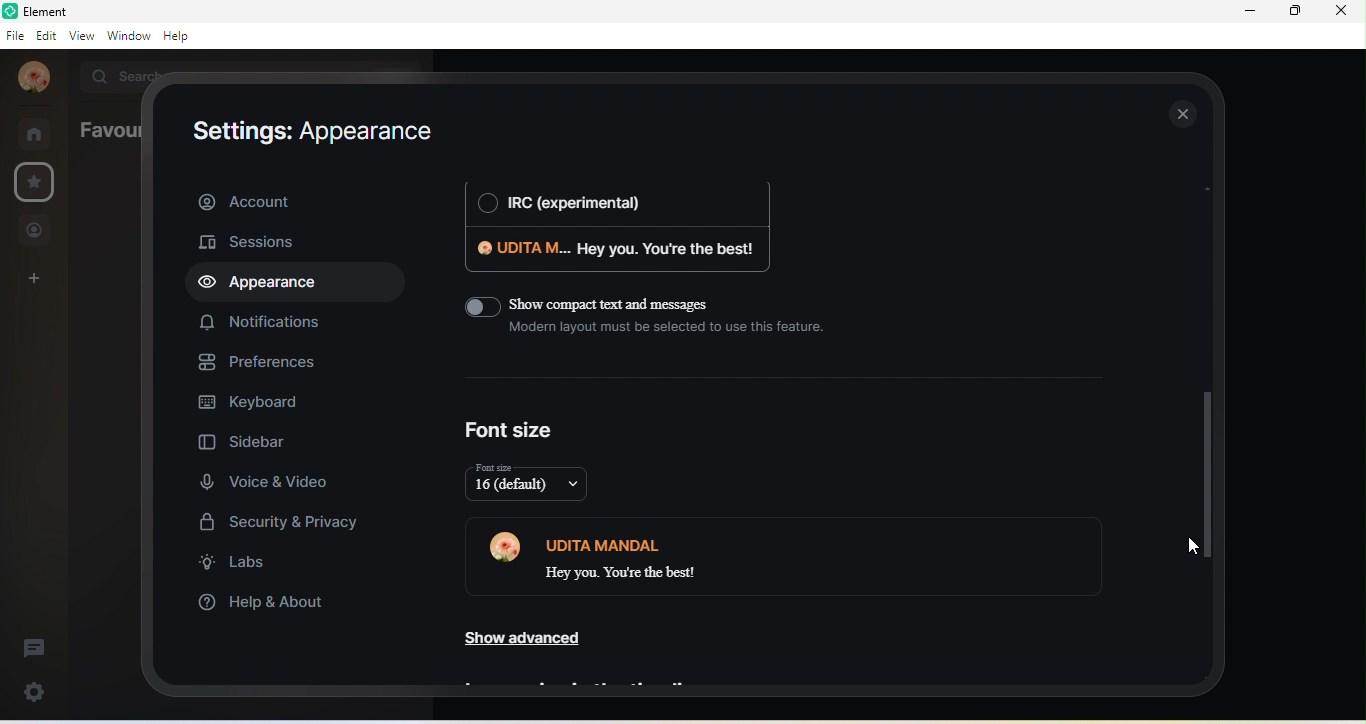 The width and height of the screenshot is (1366, 724). Describe the element at coordinates (37, 185) in the screenshot. I see `favourites` at that location.